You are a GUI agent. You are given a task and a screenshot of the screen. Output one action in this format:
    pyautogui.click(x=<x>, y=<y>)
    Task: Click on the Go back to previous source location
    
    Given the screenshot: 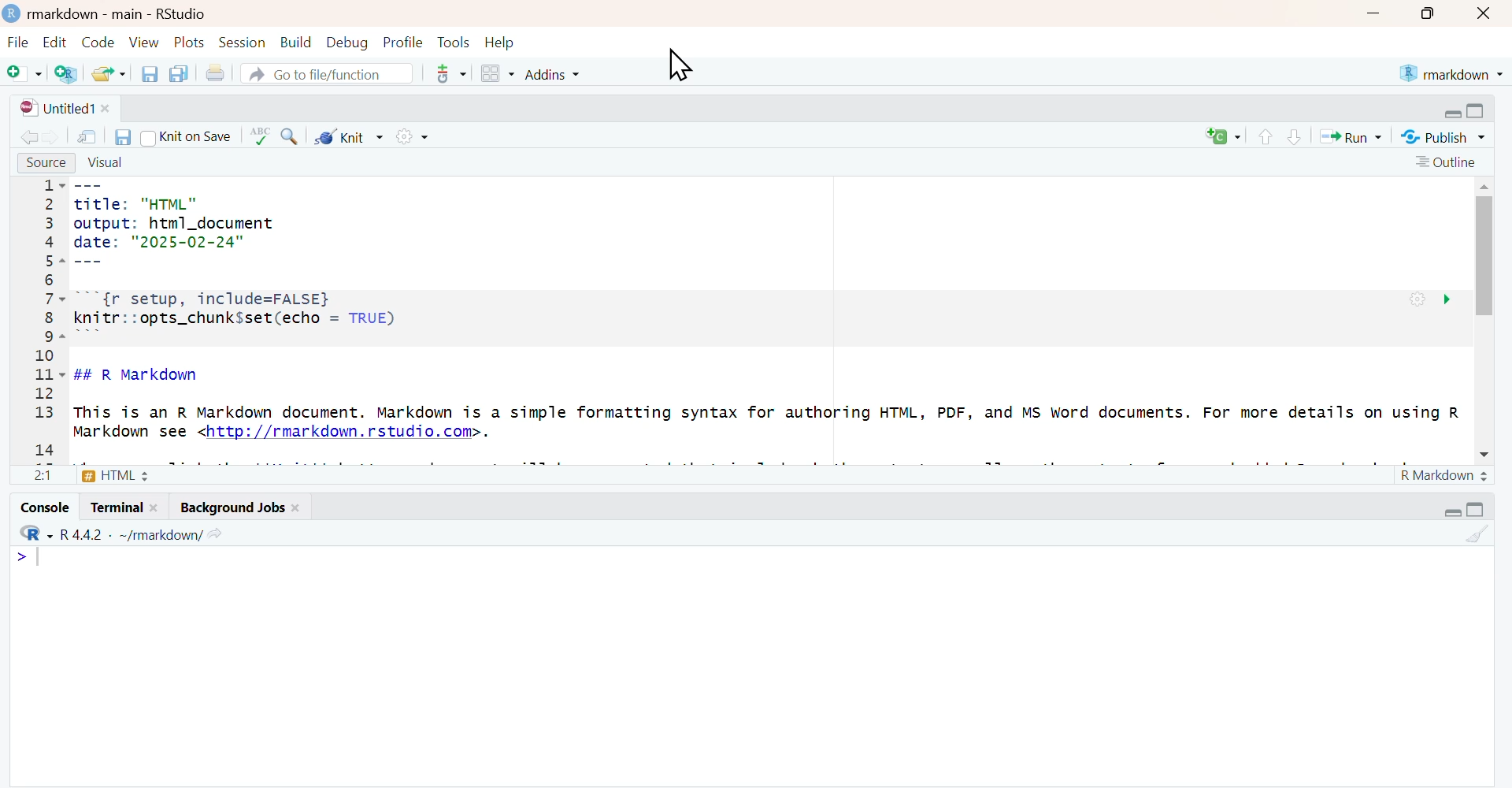 What is the action you would take?
    pyautogui.click(x=27, y=136)
    